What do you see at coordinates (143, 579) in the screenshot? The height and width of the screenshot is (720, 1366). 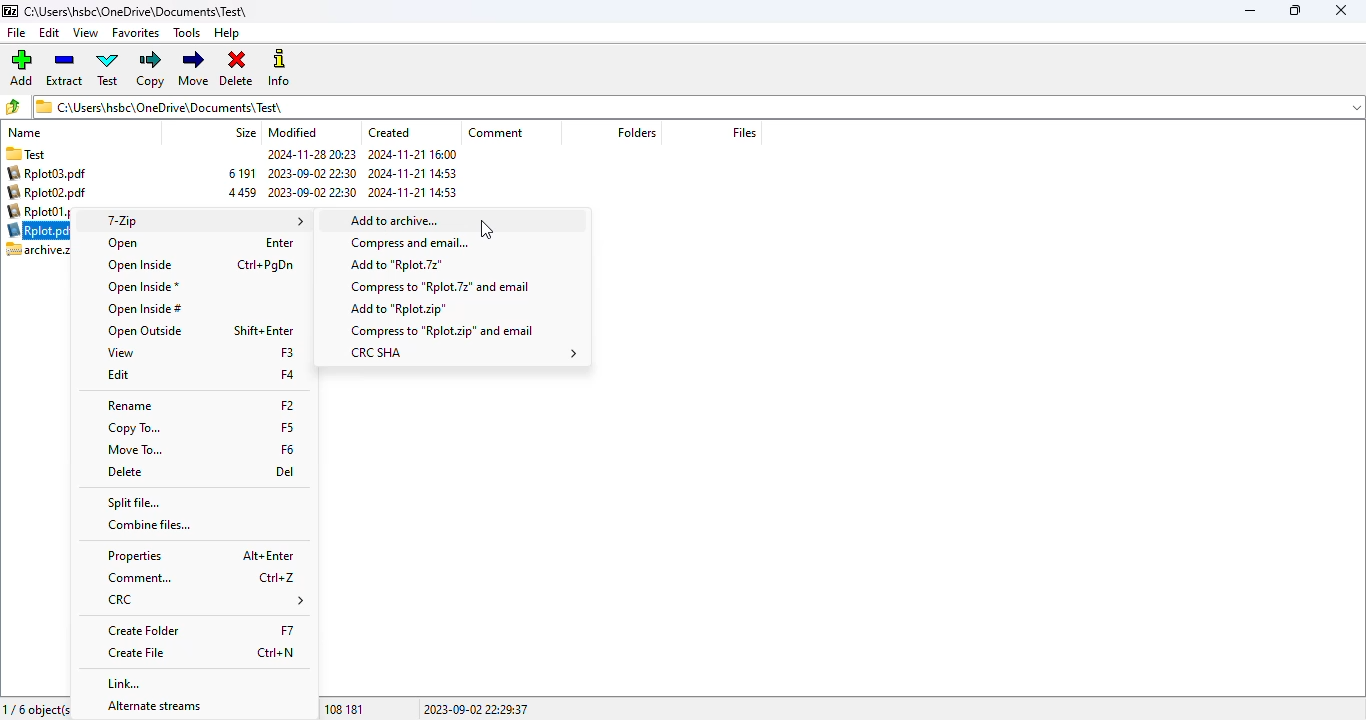 I see `comment` at bounding box center [143, 579].